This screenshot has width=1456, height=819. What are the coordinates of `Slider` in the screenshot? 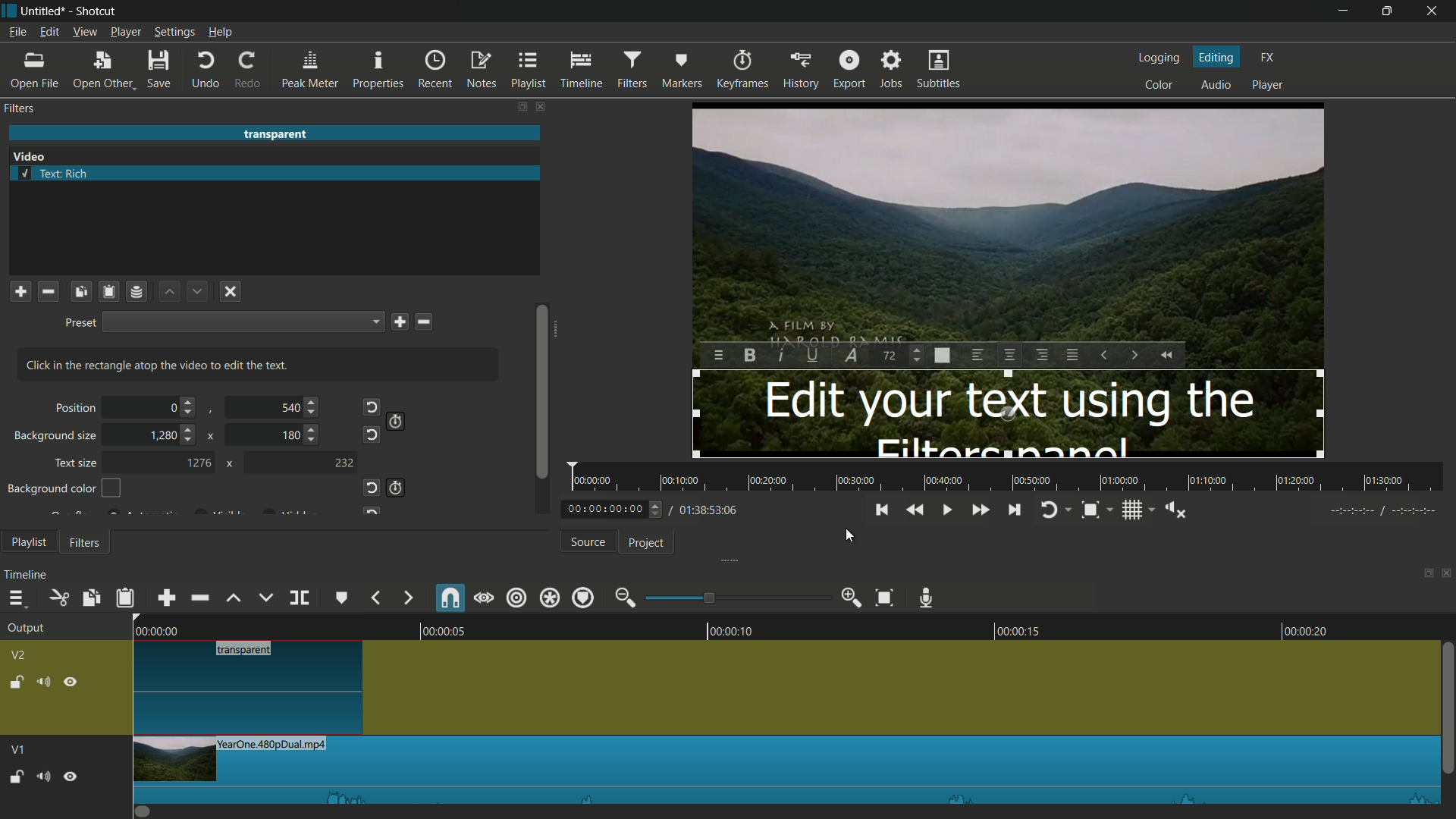 It's located at (1447, 714).